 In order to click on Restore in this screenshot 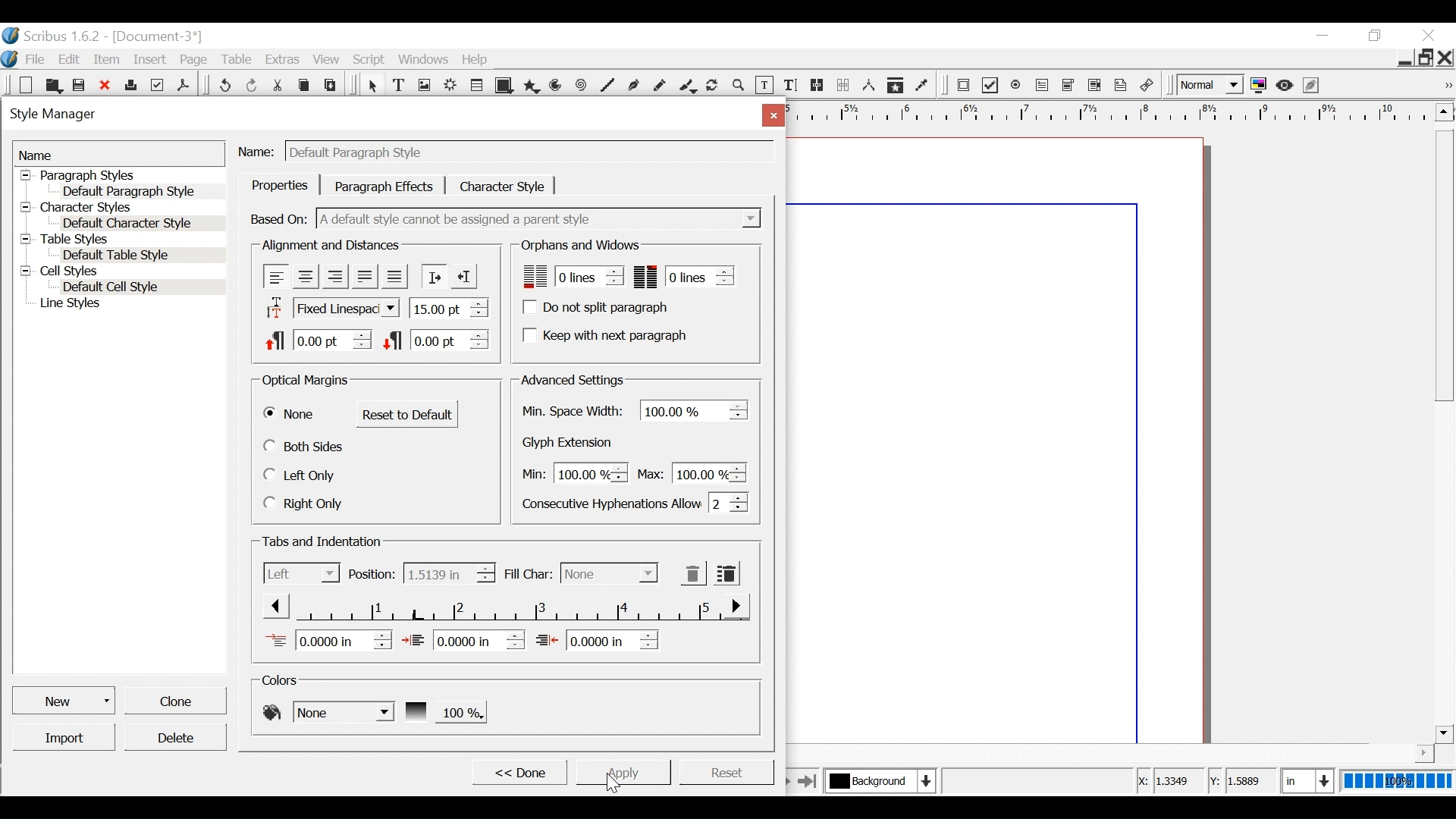, I will do `click(1426, 56)`.